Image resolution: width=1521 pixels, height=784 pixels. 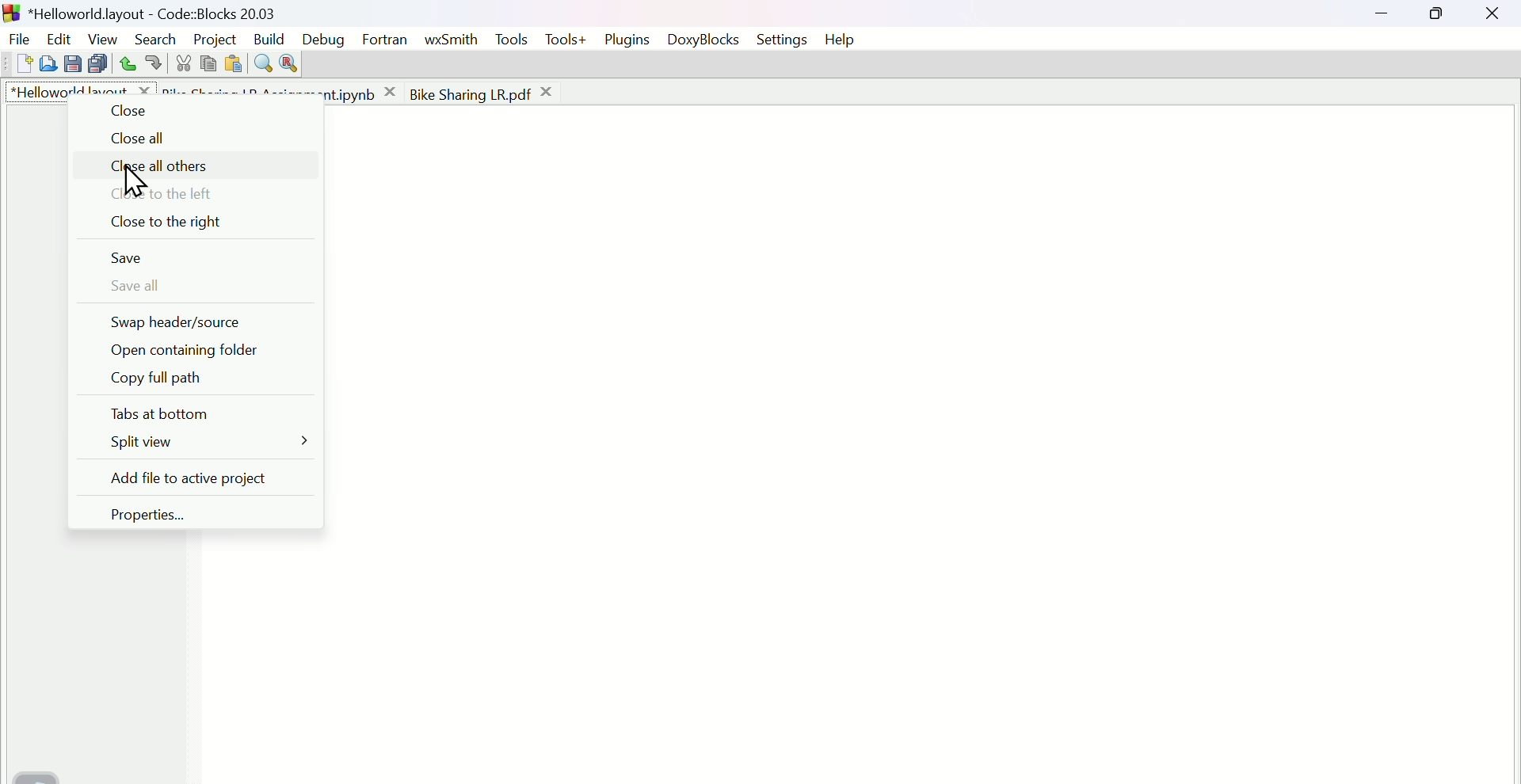 What do you see at coordinates (291, 64) in the screenshot?
I see `Replace` at bounding box center [291, 64].